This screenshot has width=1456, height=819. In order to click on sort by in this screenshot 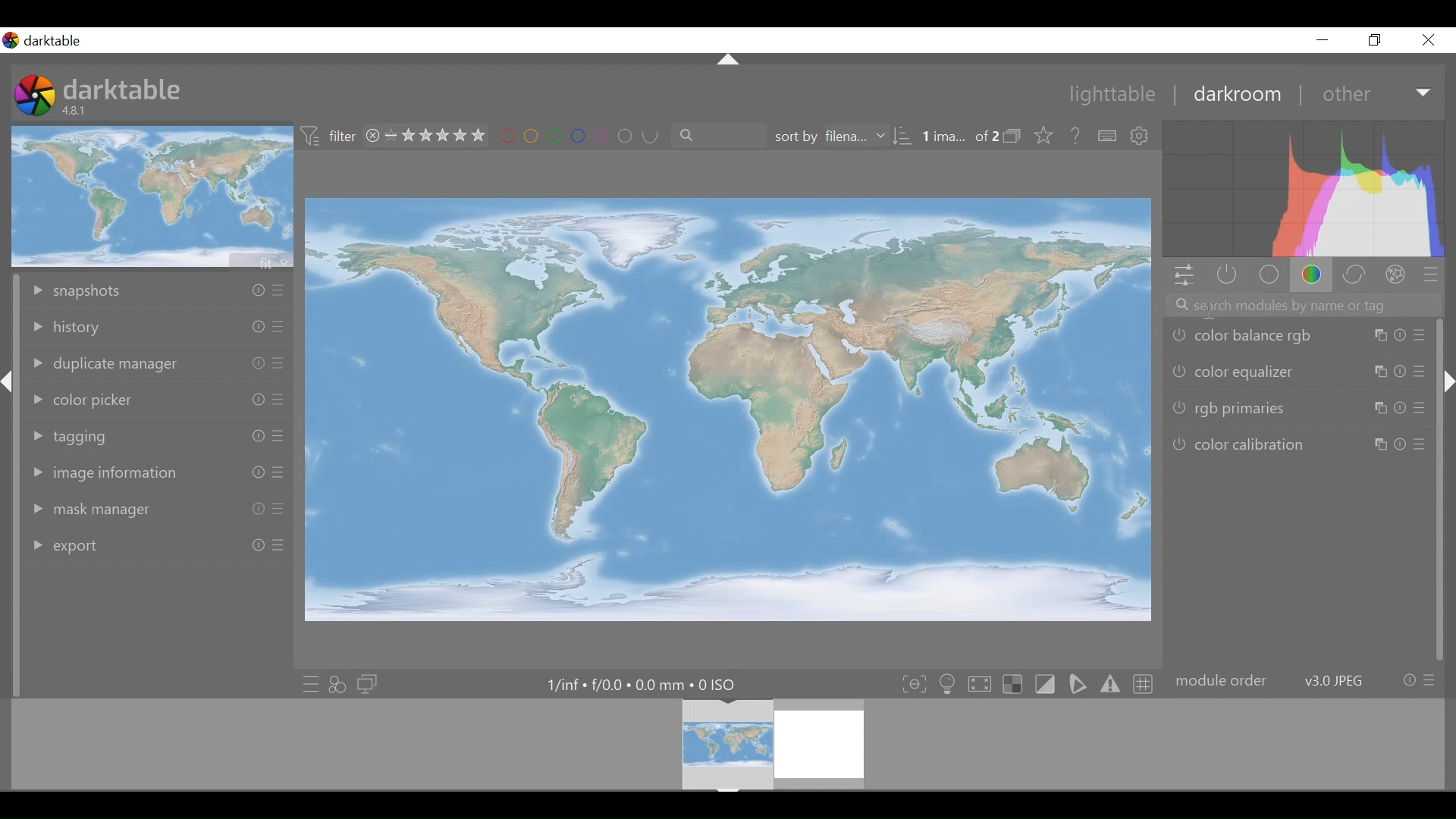, I will do `click(843, 136)`.